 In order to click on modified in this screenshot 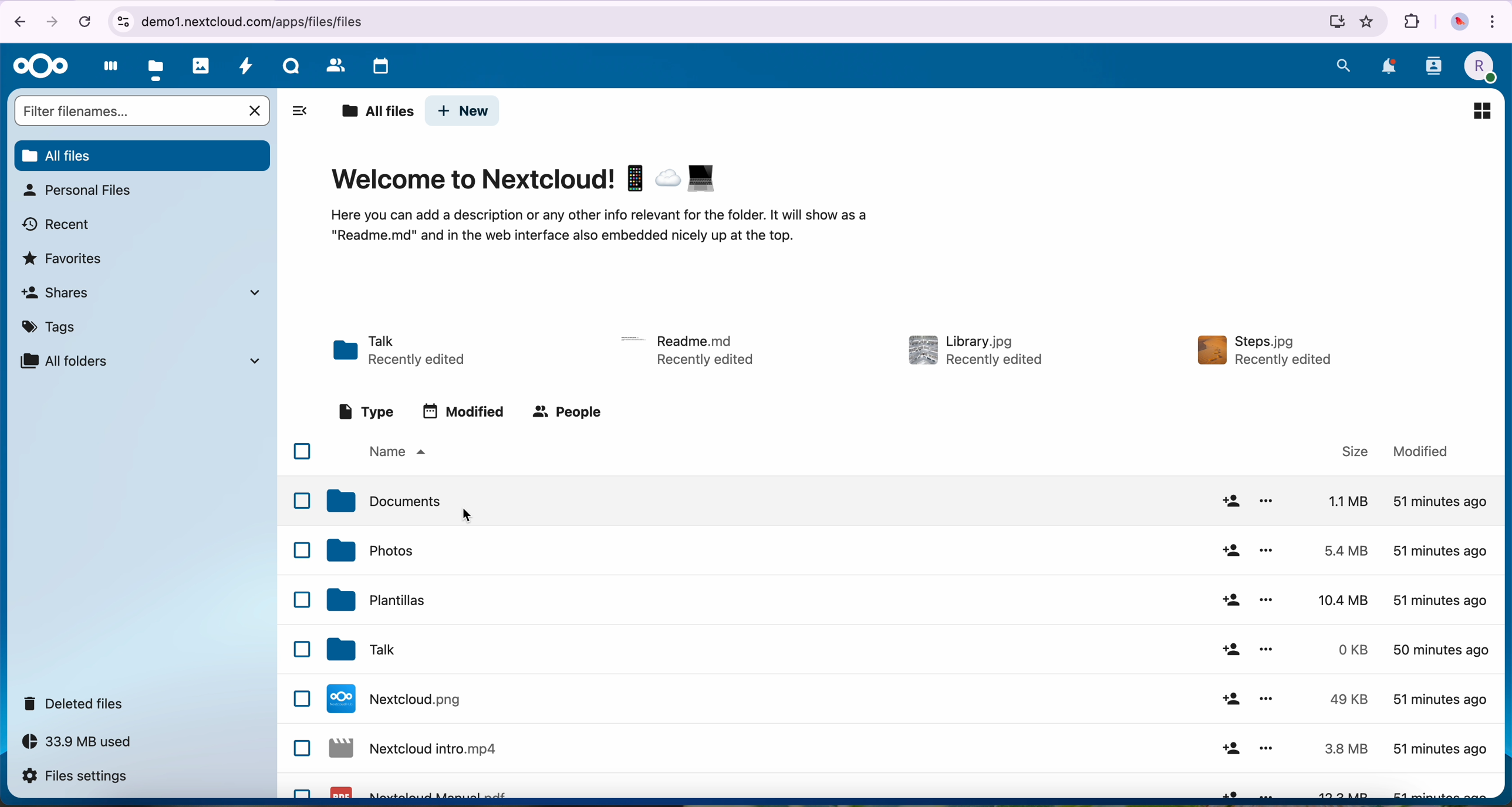, I will do `click(1440, 601)`.